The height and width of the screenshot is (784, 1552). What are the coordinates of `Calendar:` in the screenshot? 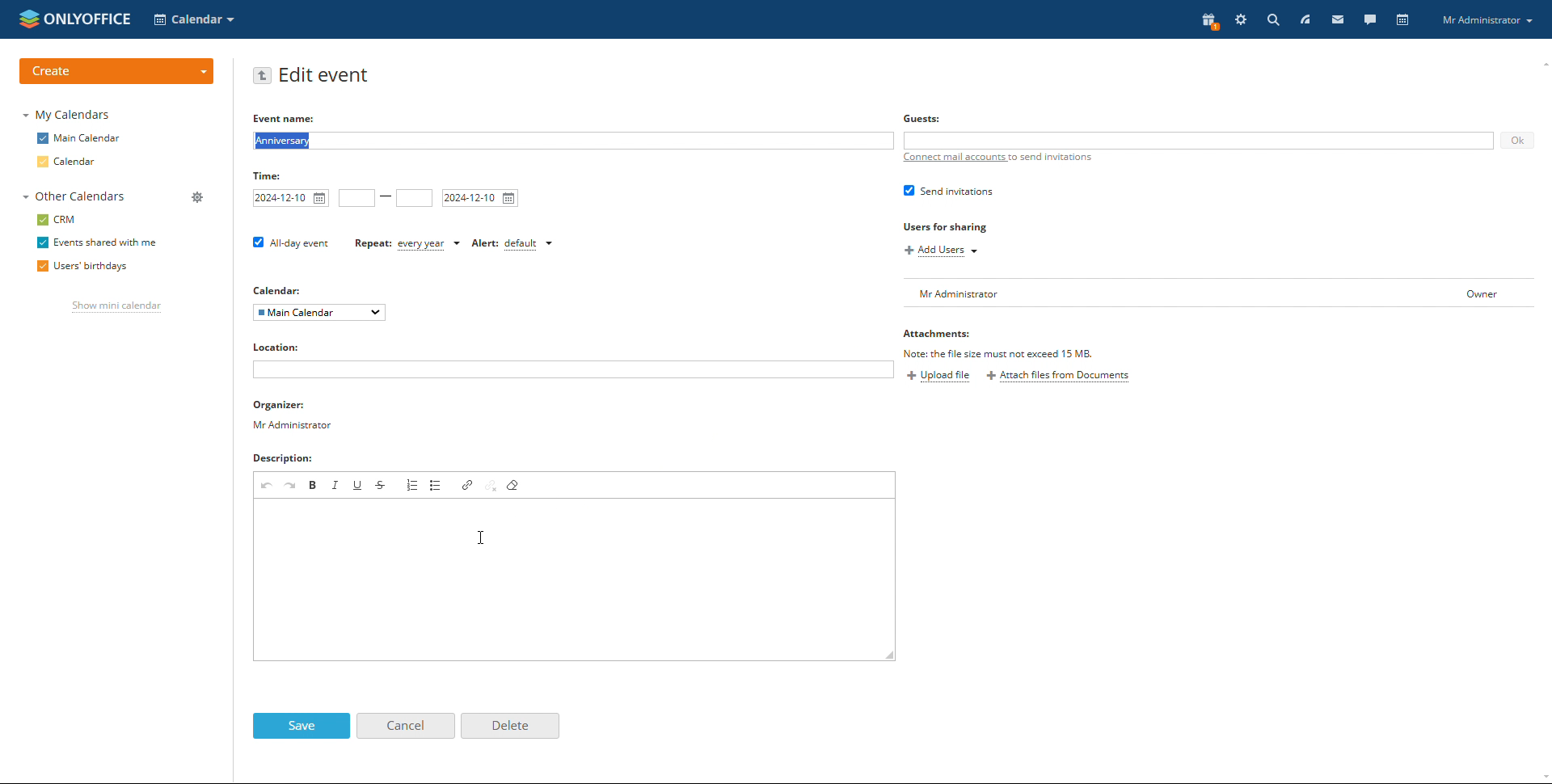 It's located at (282, 289).